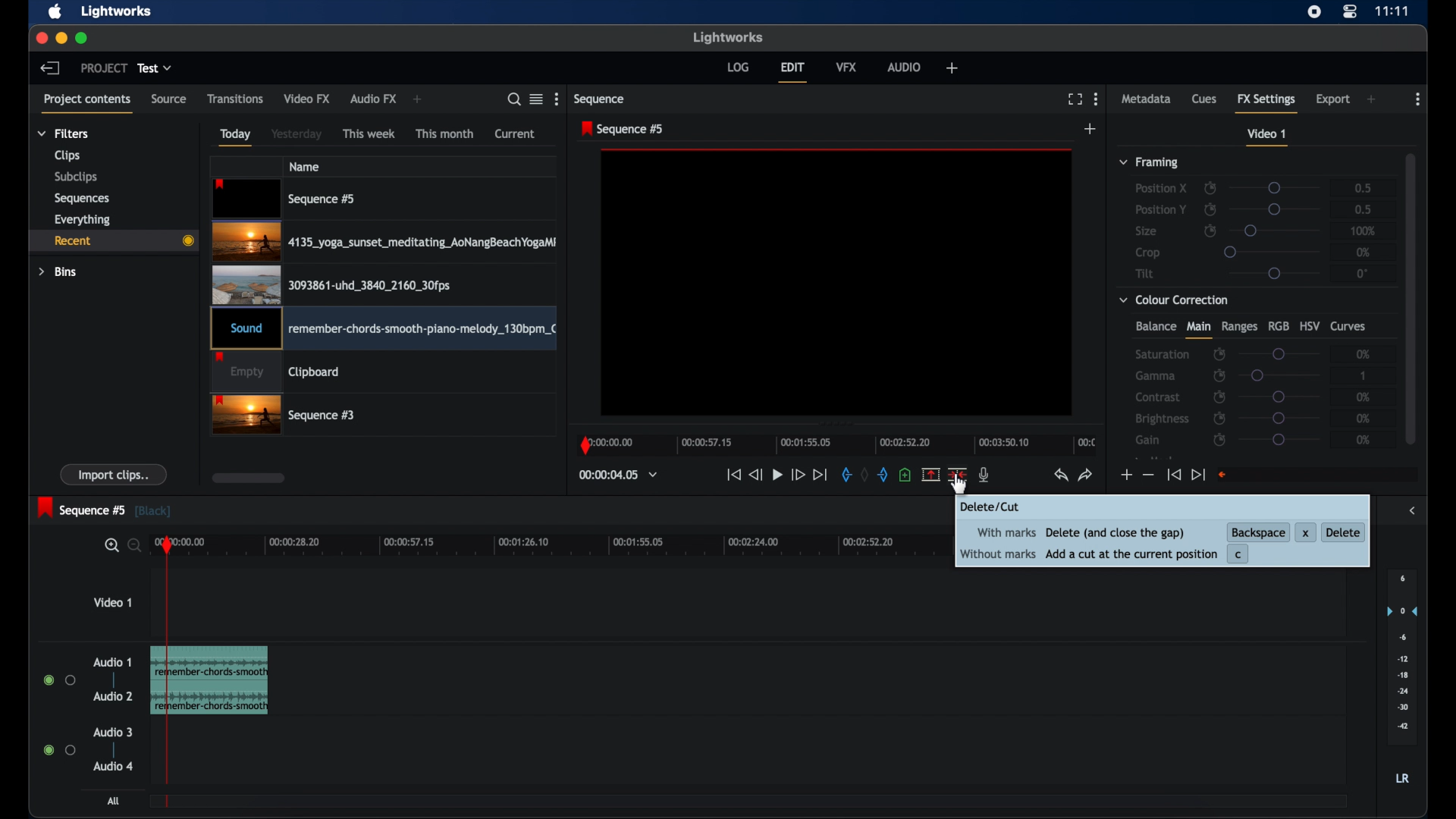  Describe the element at coordinates (1239, 327) in the screenshot. I see `ranges` at that location.